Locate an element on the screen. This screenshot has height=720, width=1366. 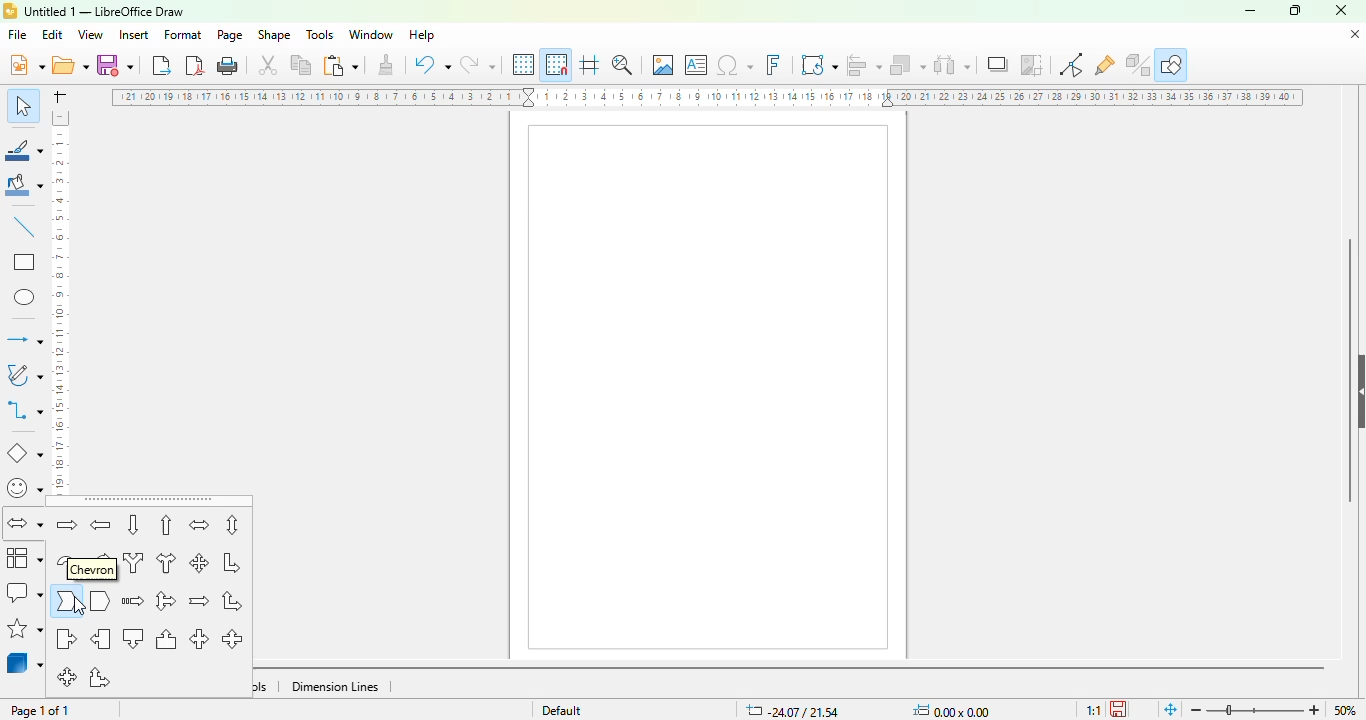
horizontal scroll bar is located at coordinates (791, 669).